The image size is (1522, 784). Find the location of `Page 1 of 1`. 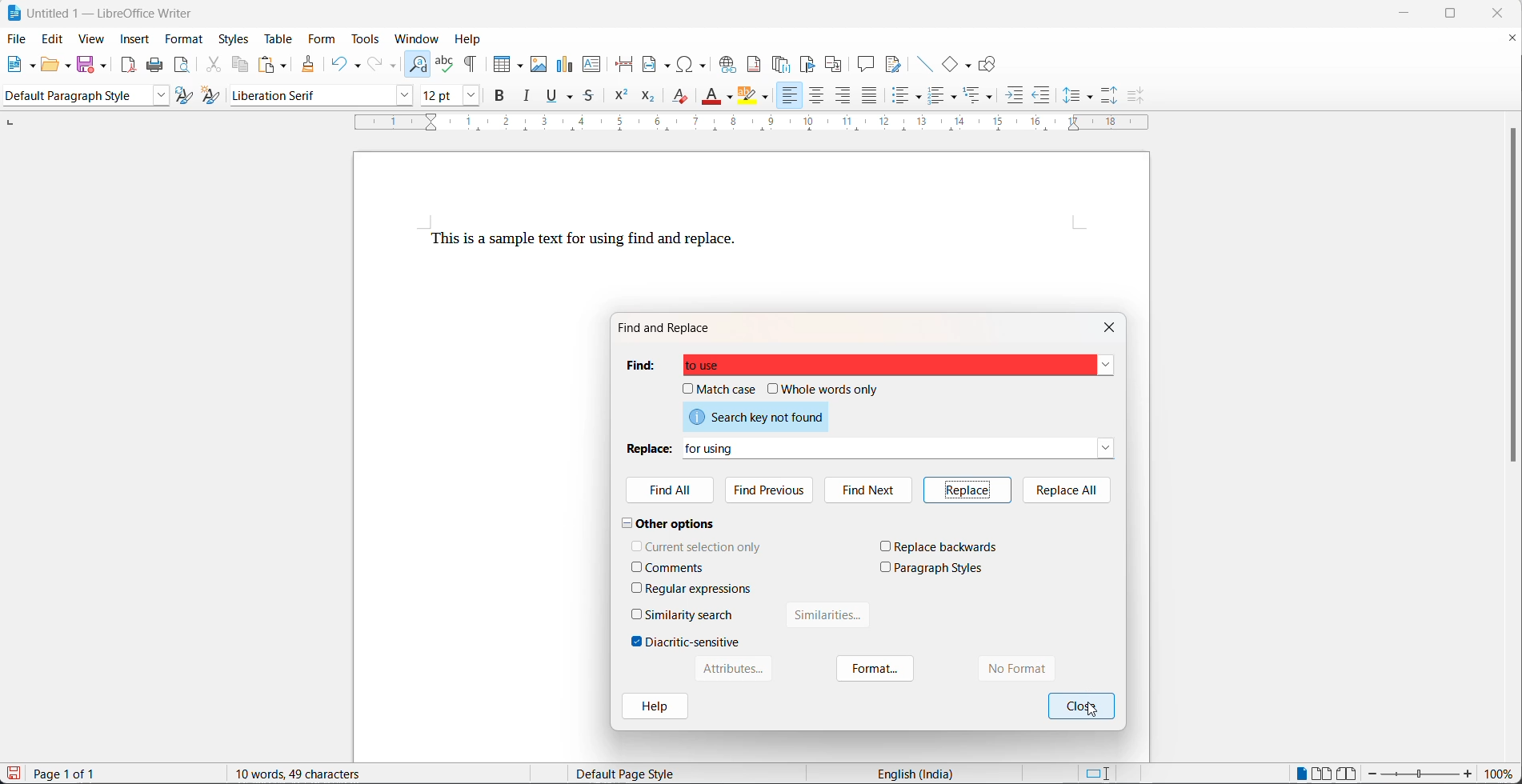

Page 1 of 1 is located at coordinates (70, 774).